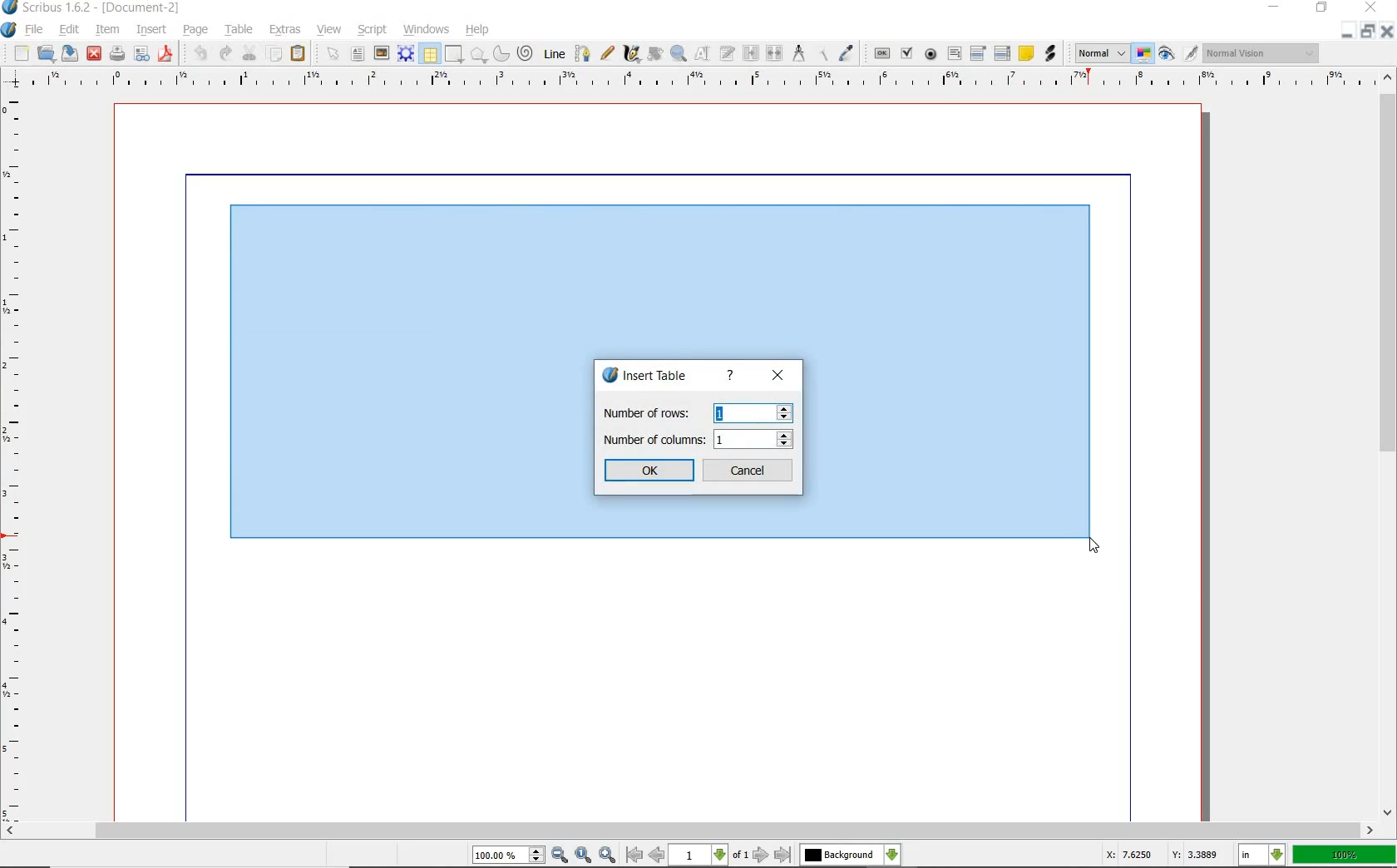 This screenshot has width=1397, height=868. What do you see at coordinates (1370, 8) in the screenshot?
I see `close` at bounding box center [1370, 8].